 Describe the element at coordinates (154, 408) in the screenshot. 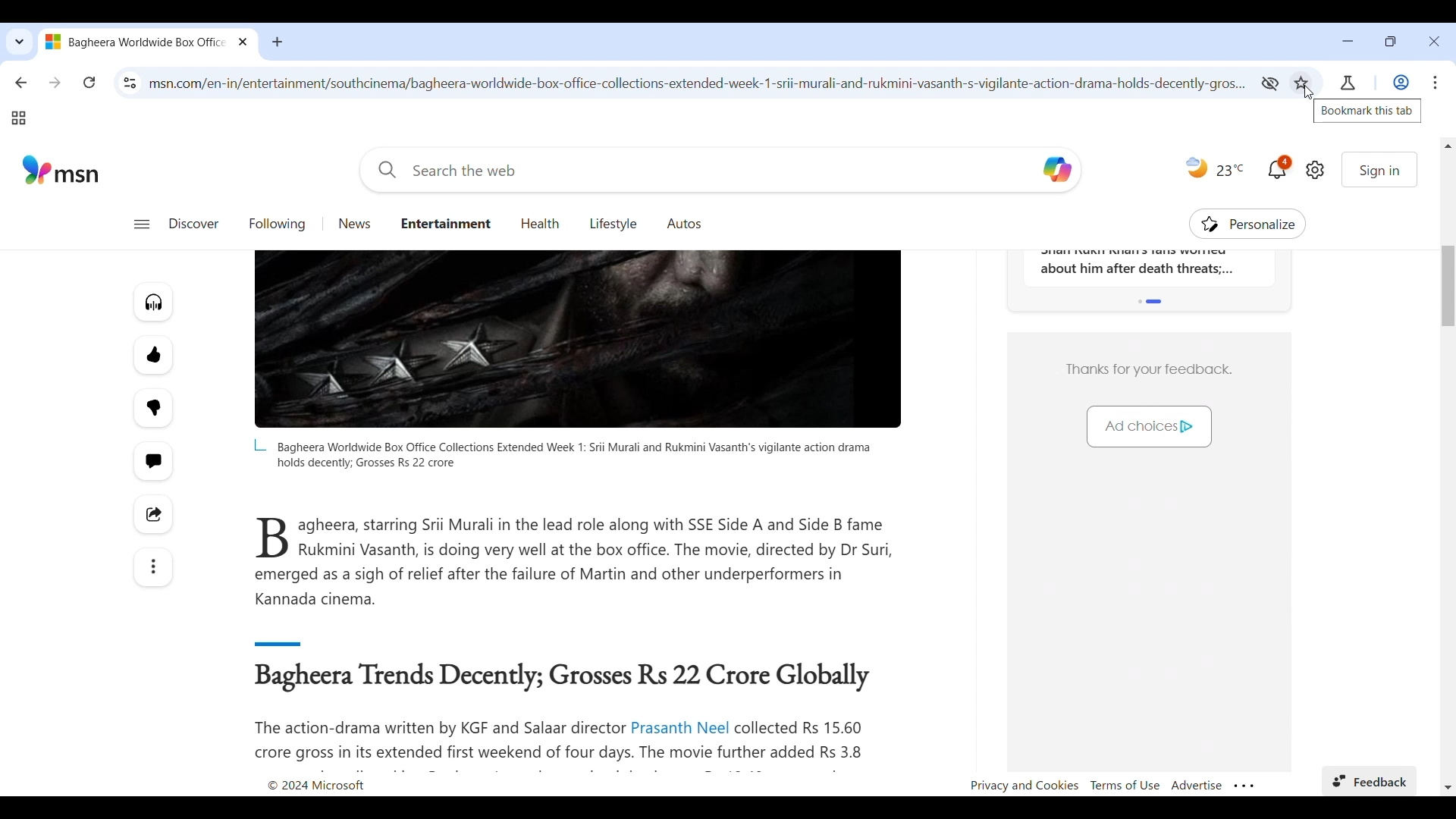

I see `Fewer like this article` at that location.